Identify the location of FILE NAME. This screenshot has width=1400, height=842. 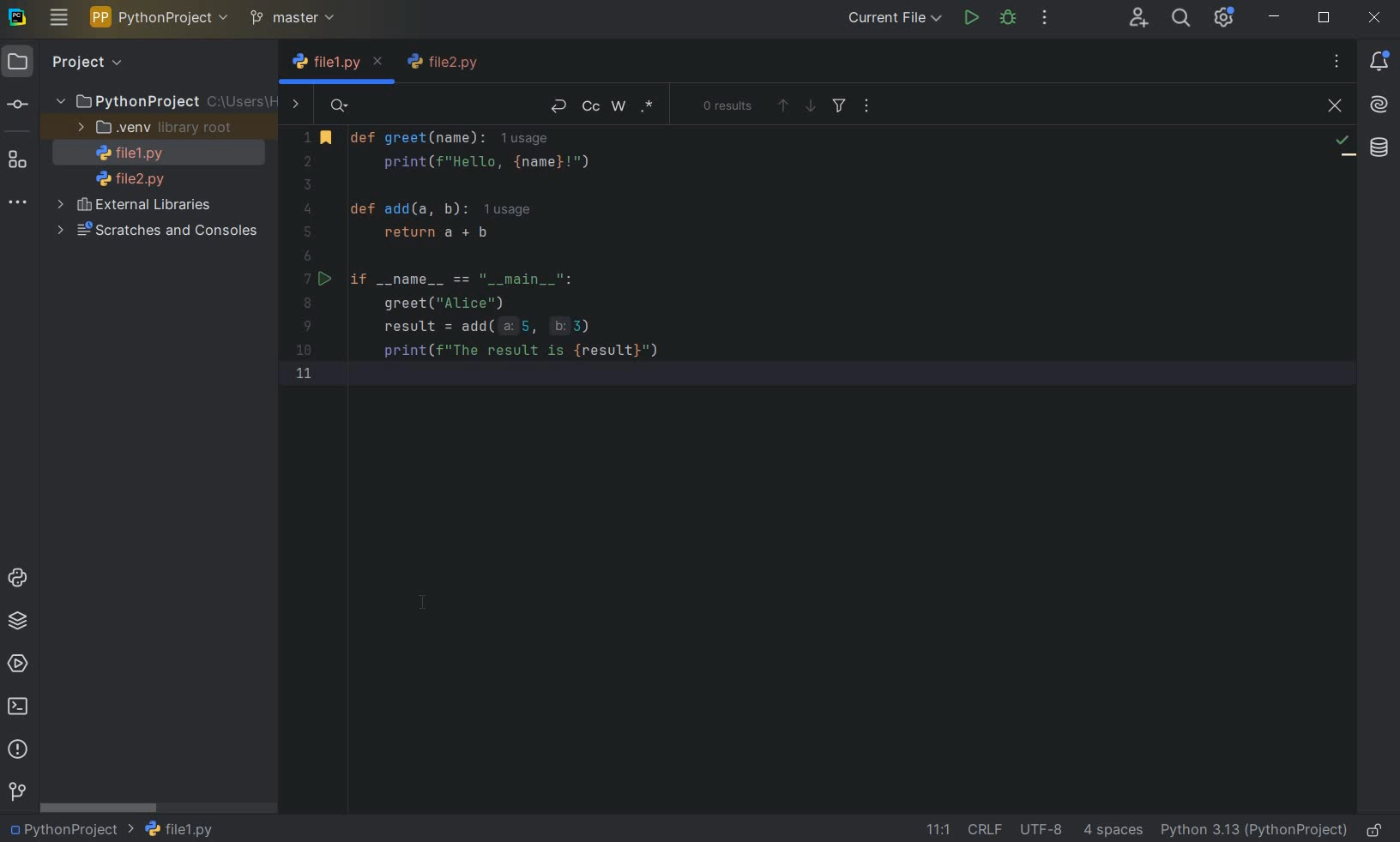
(178, 829).